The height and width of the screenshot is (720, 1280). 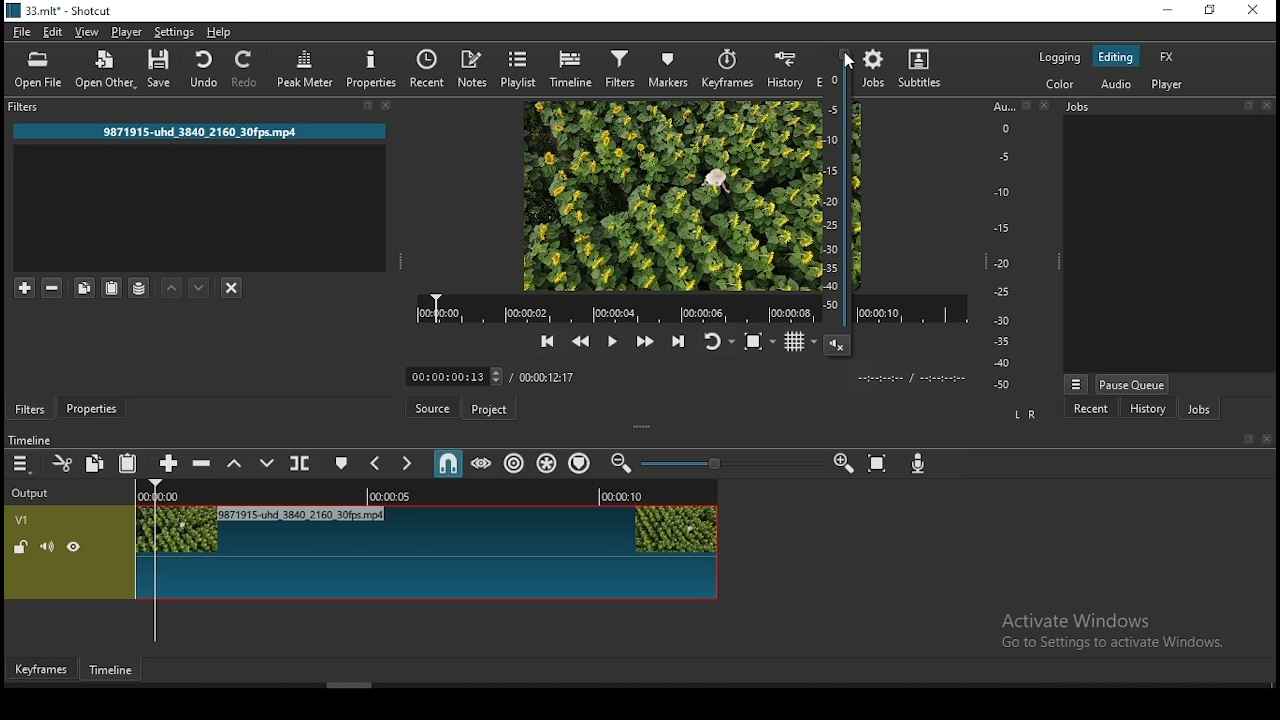 I want to click on project, so click(x=492, y=410).